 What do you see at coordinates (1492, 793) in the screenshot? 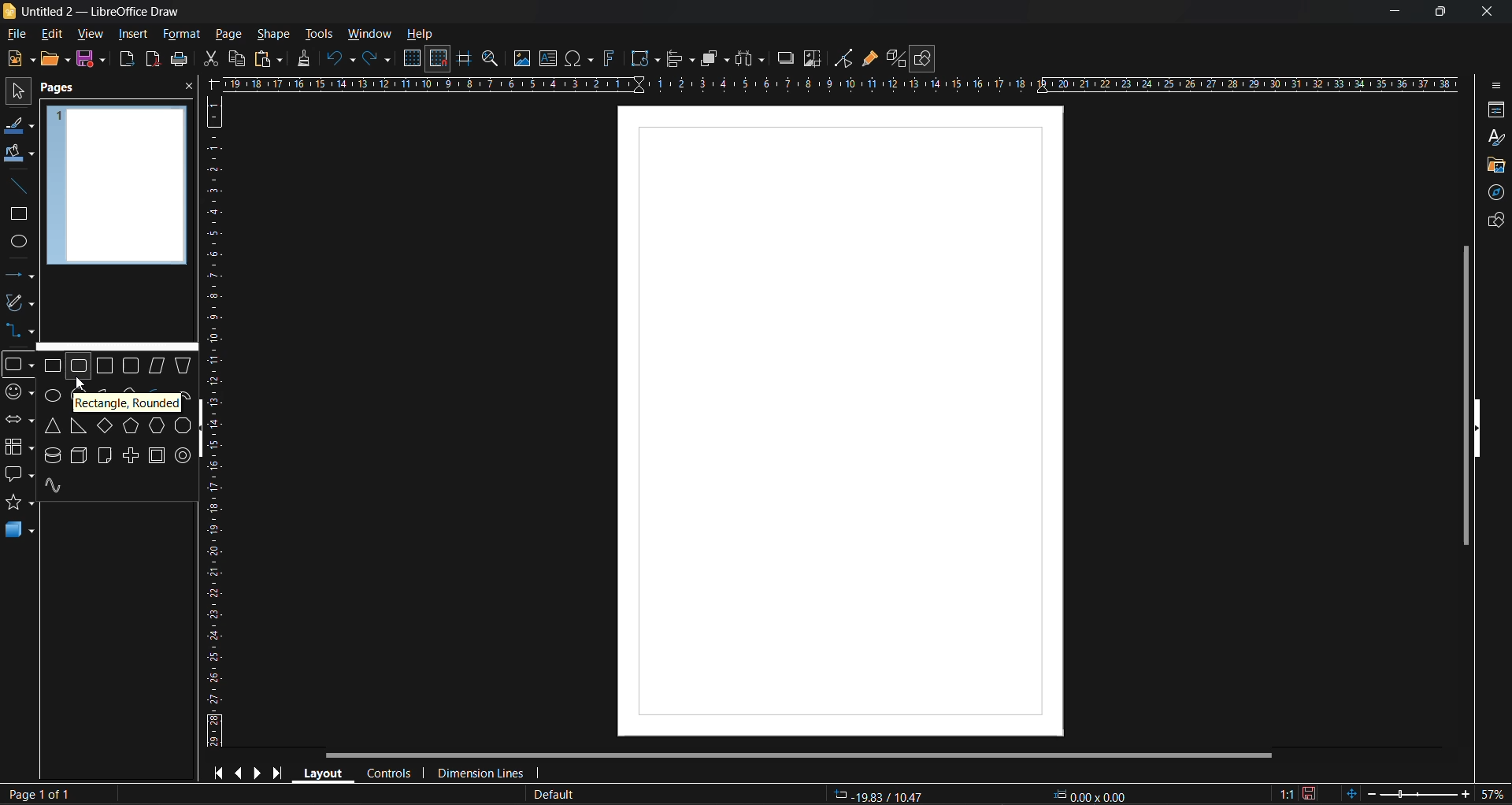
I see `zoom factor` at bounding box center [1492, 793].